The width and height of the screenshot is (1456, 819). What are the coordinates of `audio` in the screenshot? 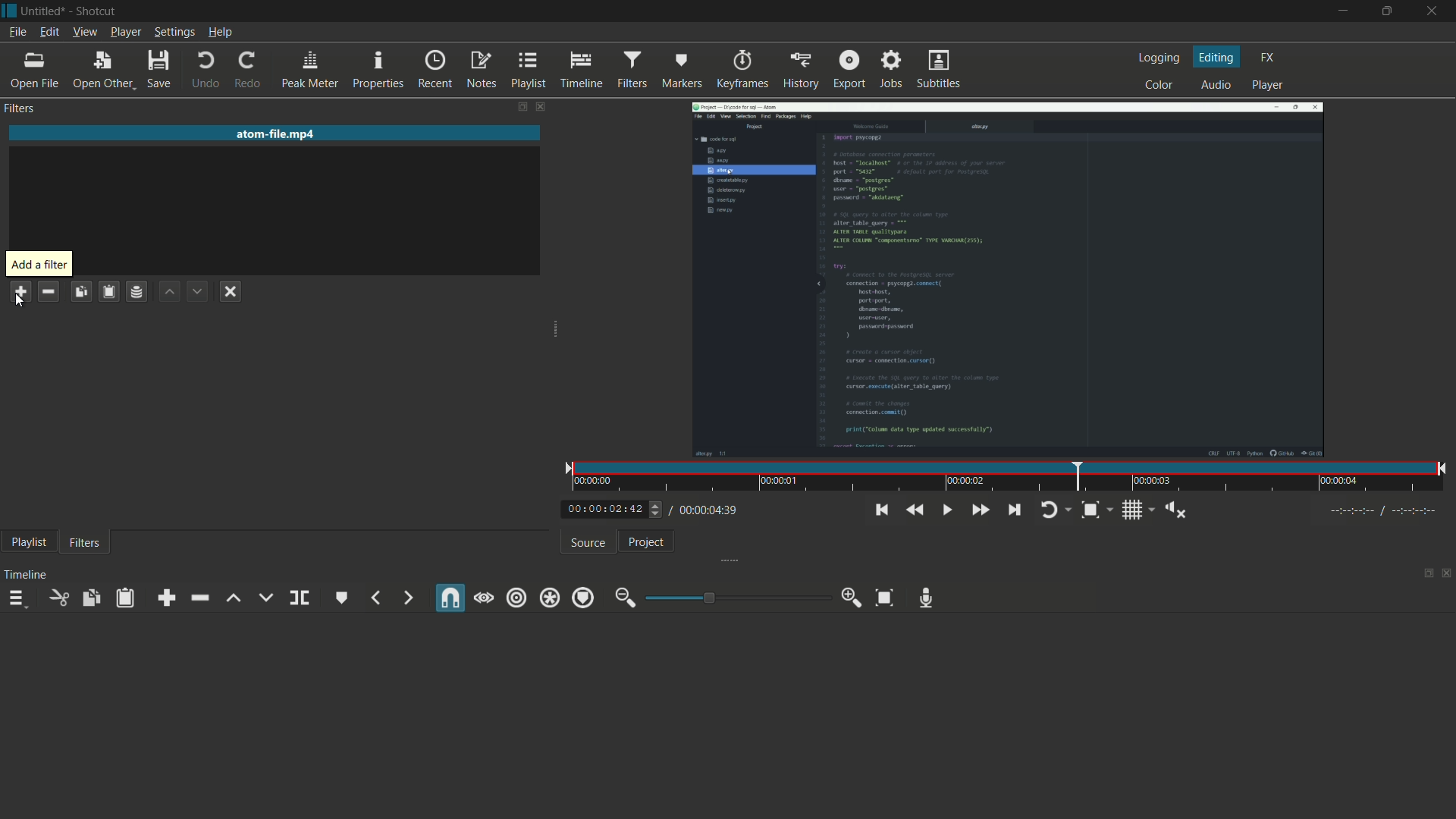 It's located at (1213, 86).